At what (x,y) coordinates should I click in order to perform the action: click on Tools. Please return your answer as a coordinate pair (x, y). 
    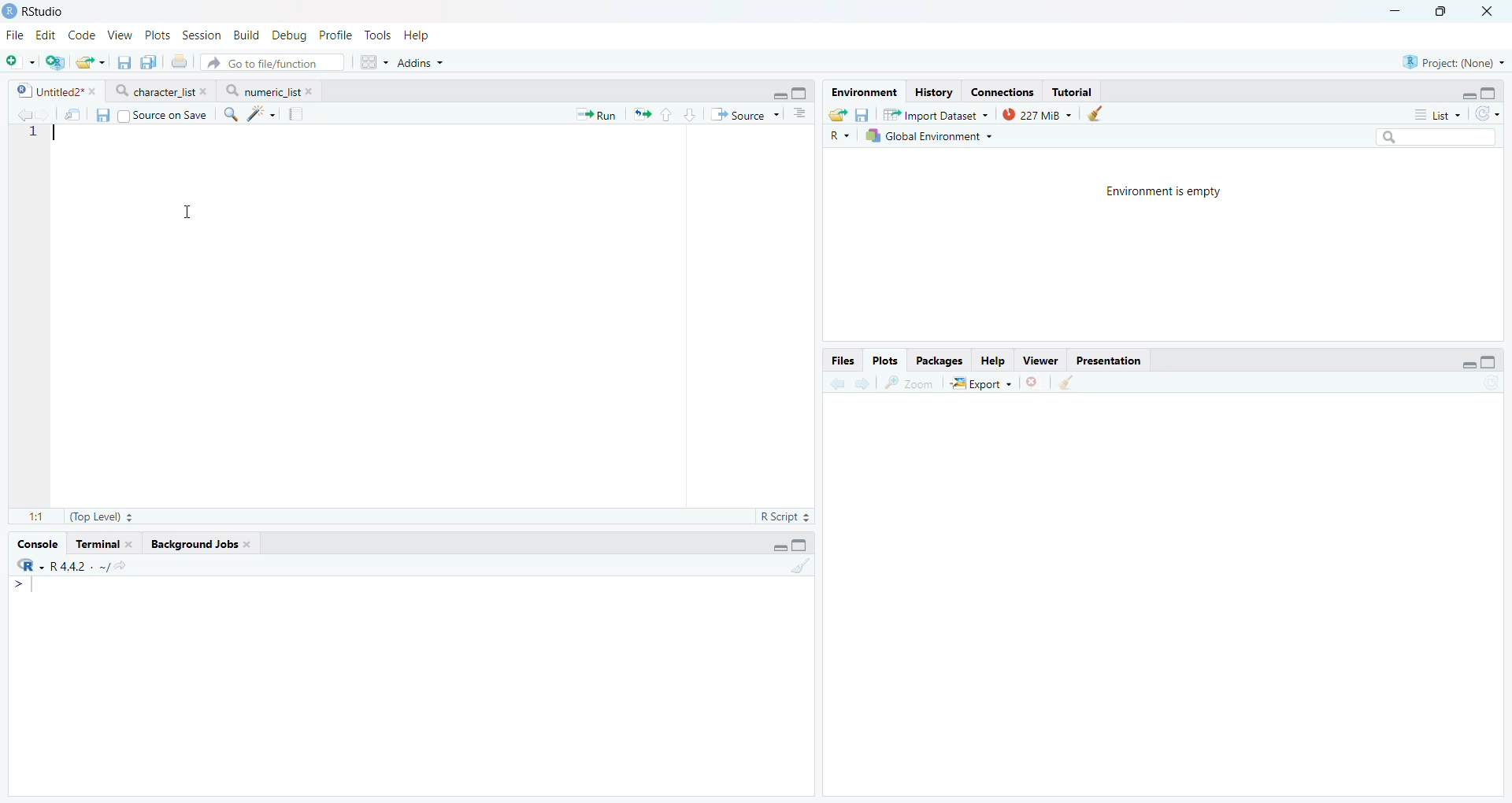
    Looking at the image, I should click on (381, 35).